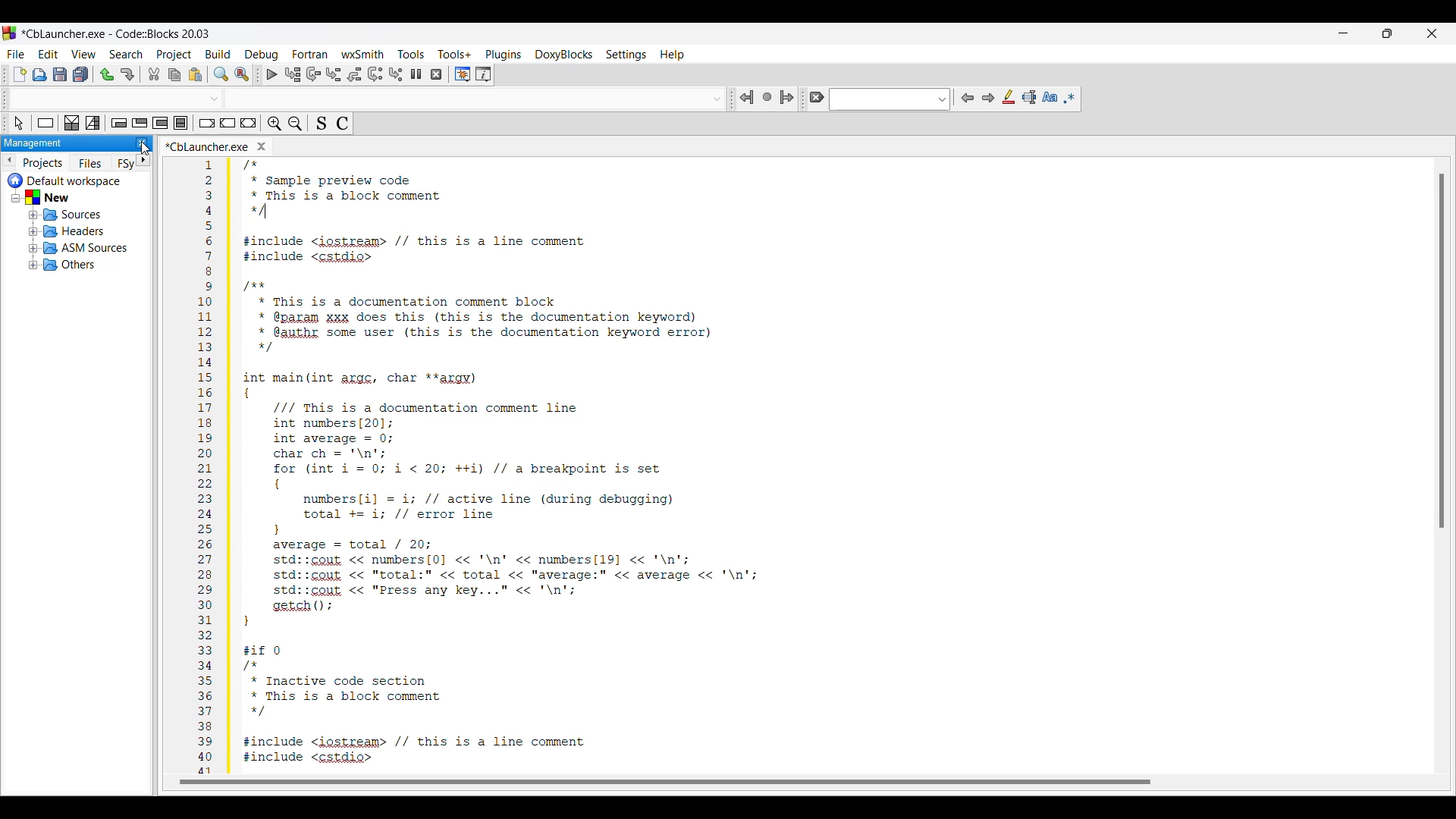 This screenshot has height=819, width=1456. I want to click on Replace, so click(242, 74).